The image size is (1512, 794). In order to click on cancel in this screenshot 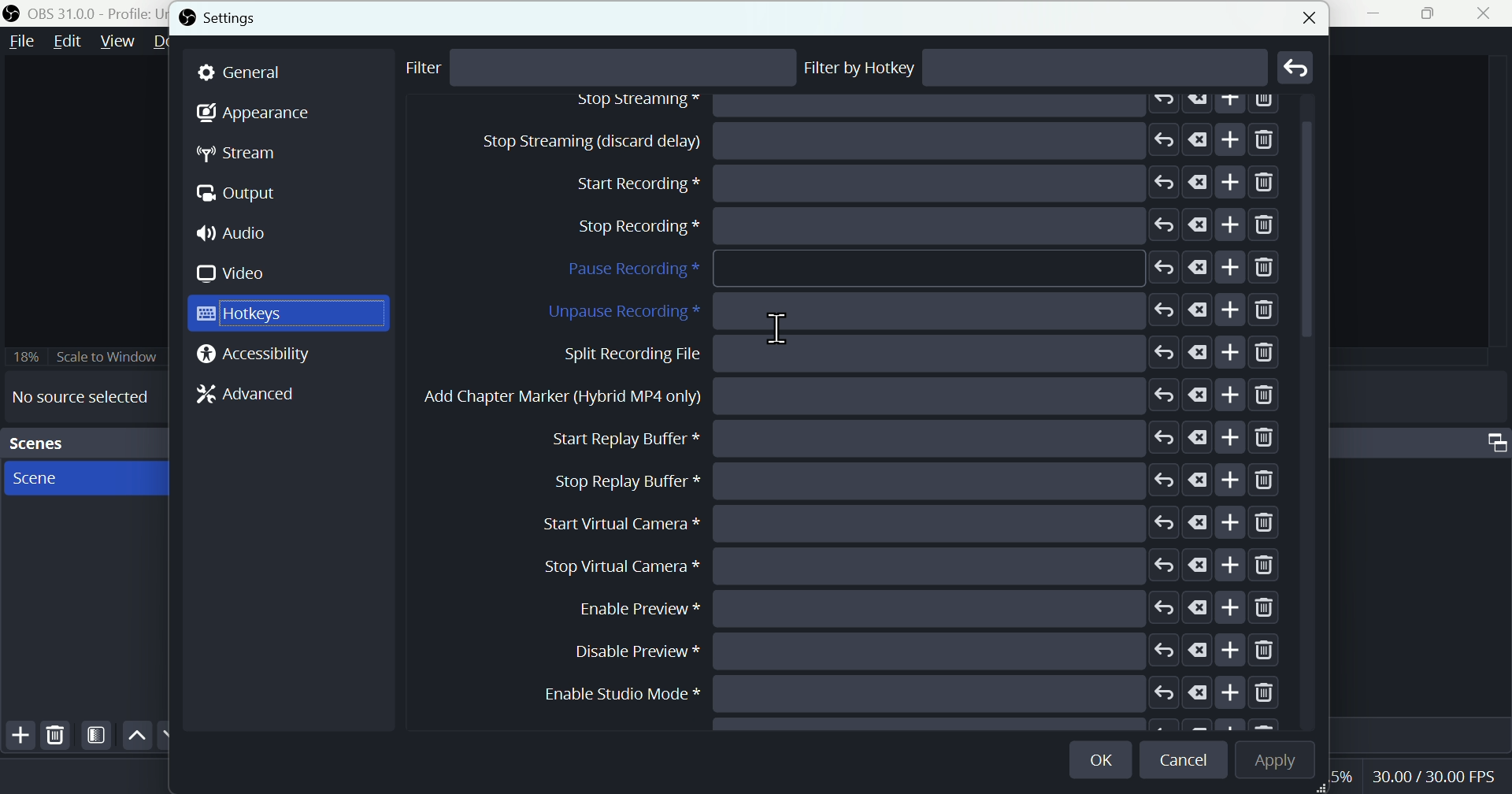, I will do `click(1187, 761)`.